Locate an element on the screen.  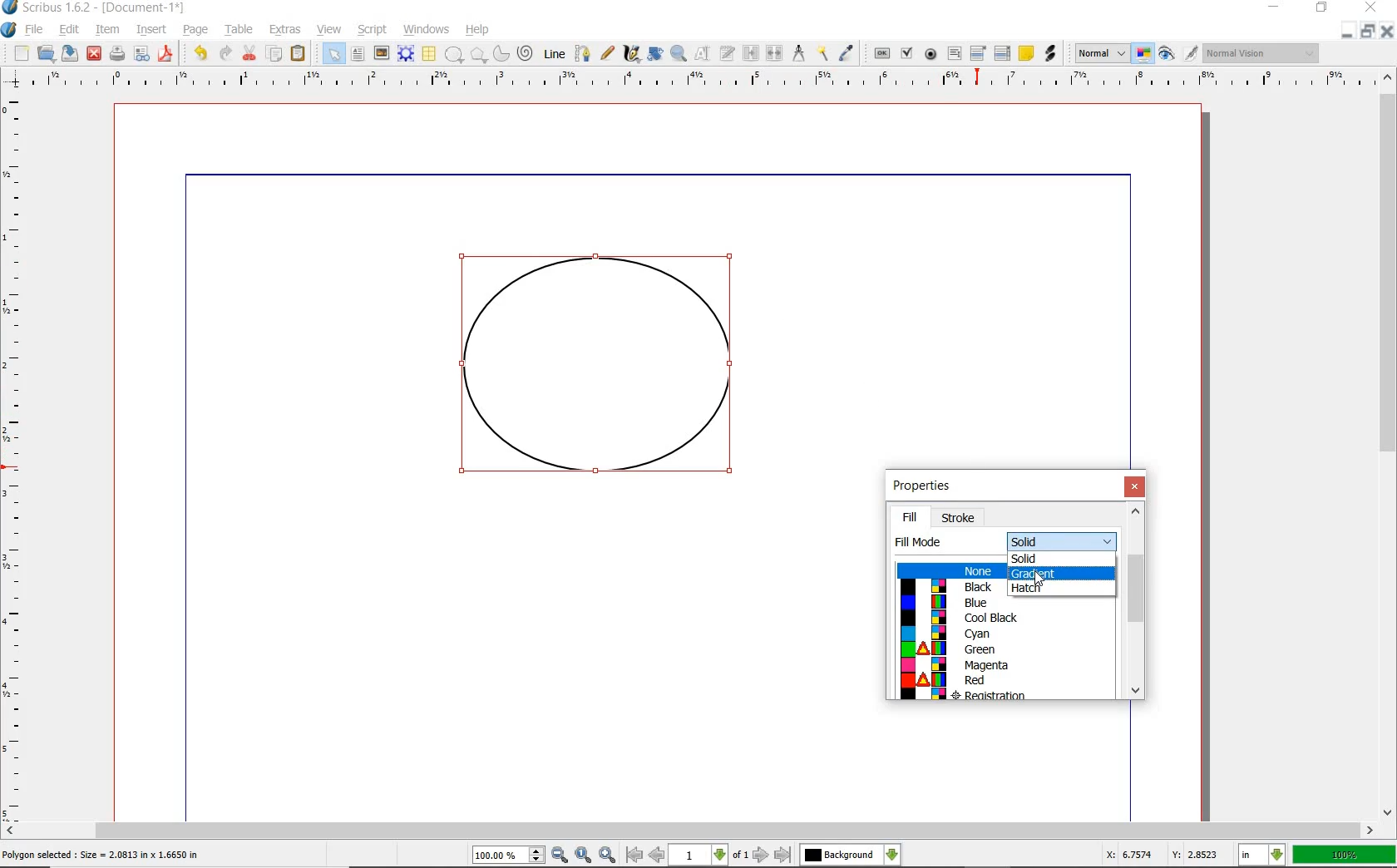
TEXT FRAME is located at coordinates (358, 53).